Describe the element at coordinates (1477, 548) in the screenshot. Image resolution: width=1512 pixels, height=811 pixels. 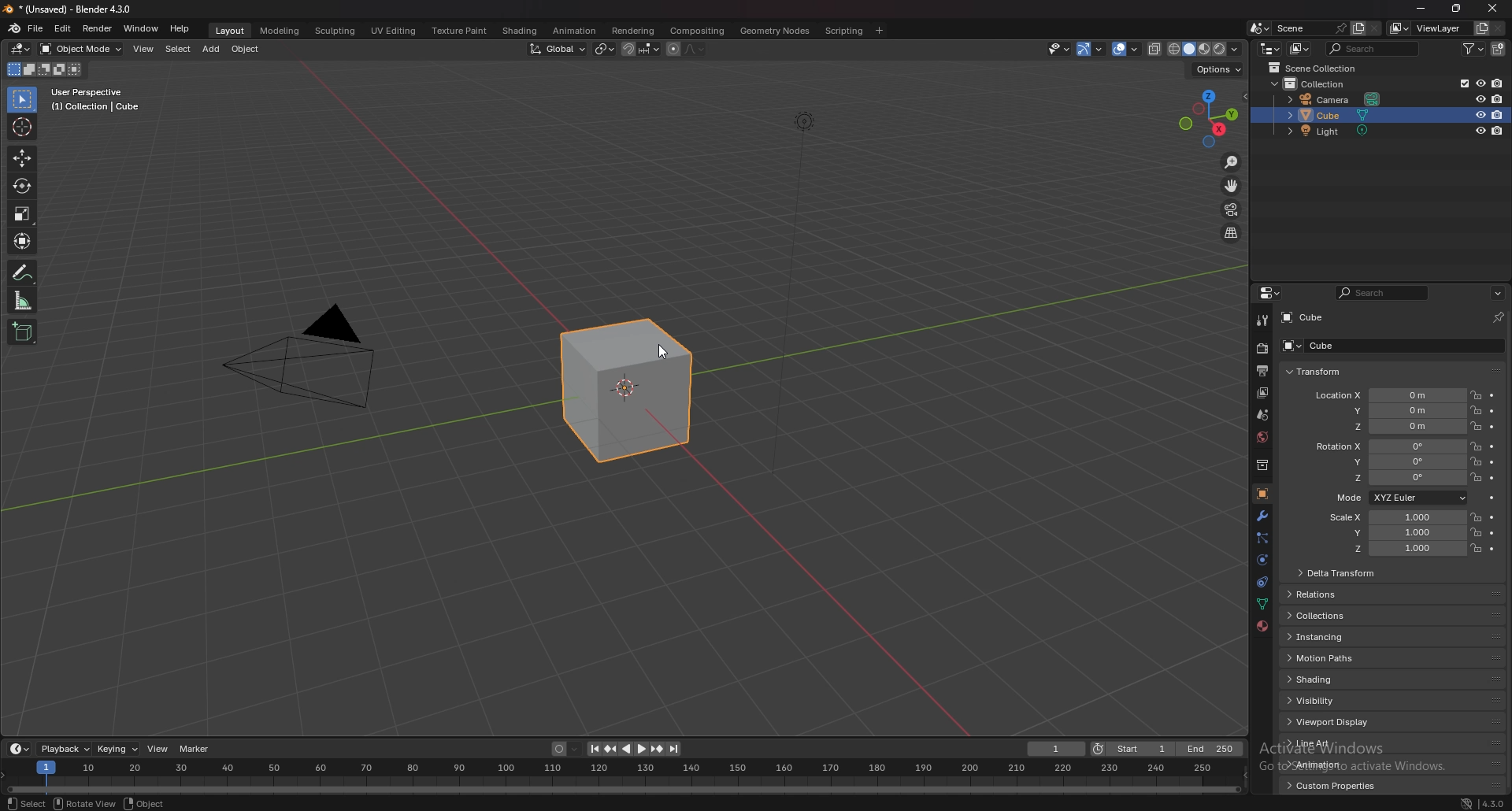
I see `lock` at that location.